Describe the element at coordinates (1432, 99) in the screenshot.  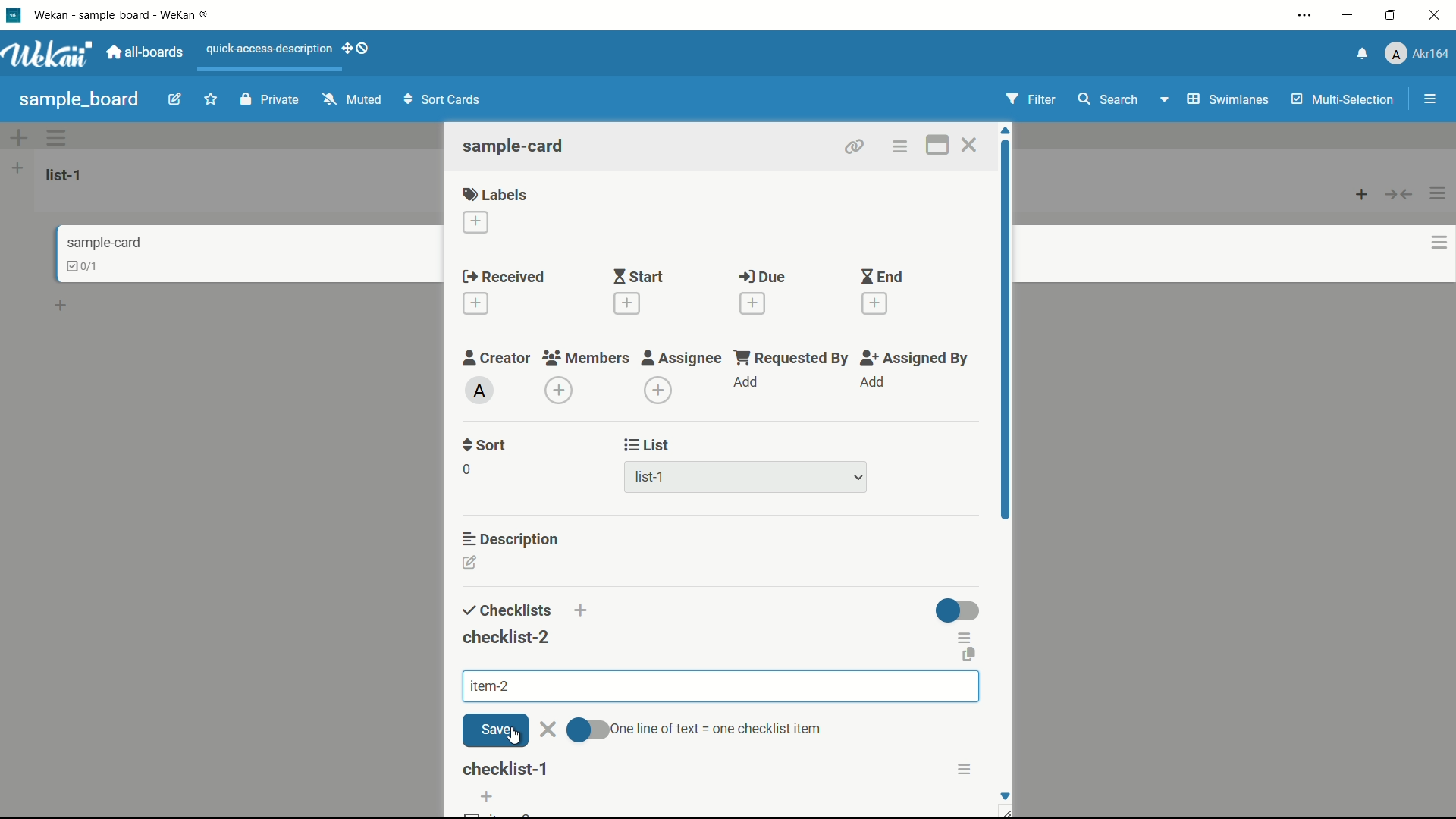
I see `show/hide sidebar` at that location.